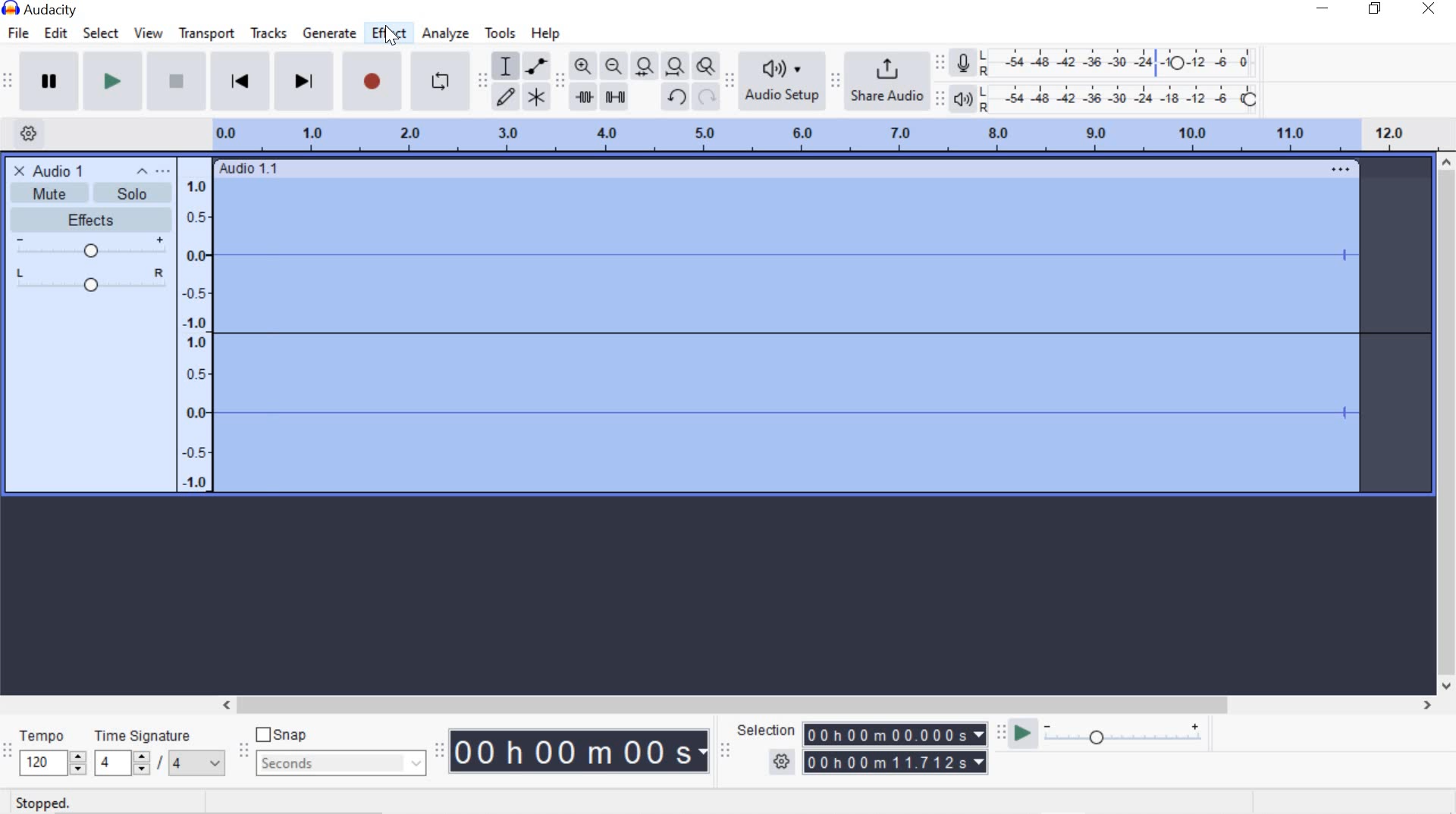  Describe the element at coordinates (21, 33) in the screenshot. I see `file` at that location.